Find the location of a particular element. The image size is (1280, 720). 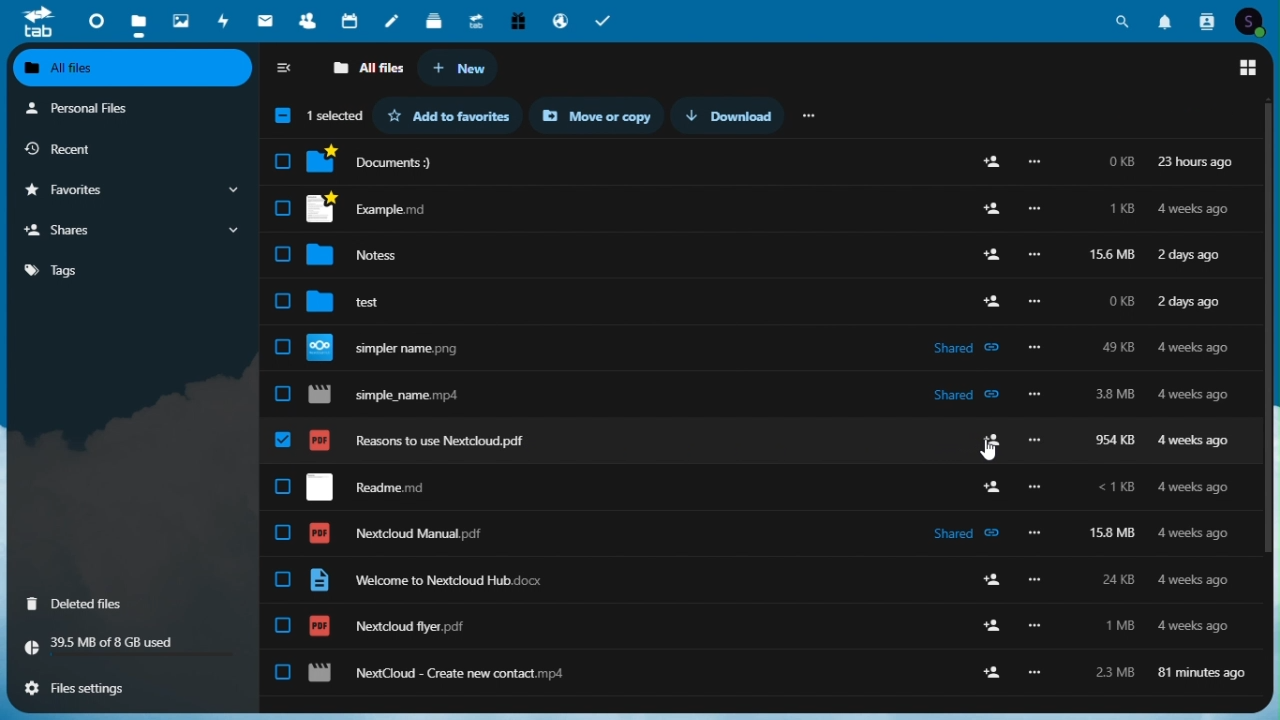

search is located at coordinates (1127, 18).